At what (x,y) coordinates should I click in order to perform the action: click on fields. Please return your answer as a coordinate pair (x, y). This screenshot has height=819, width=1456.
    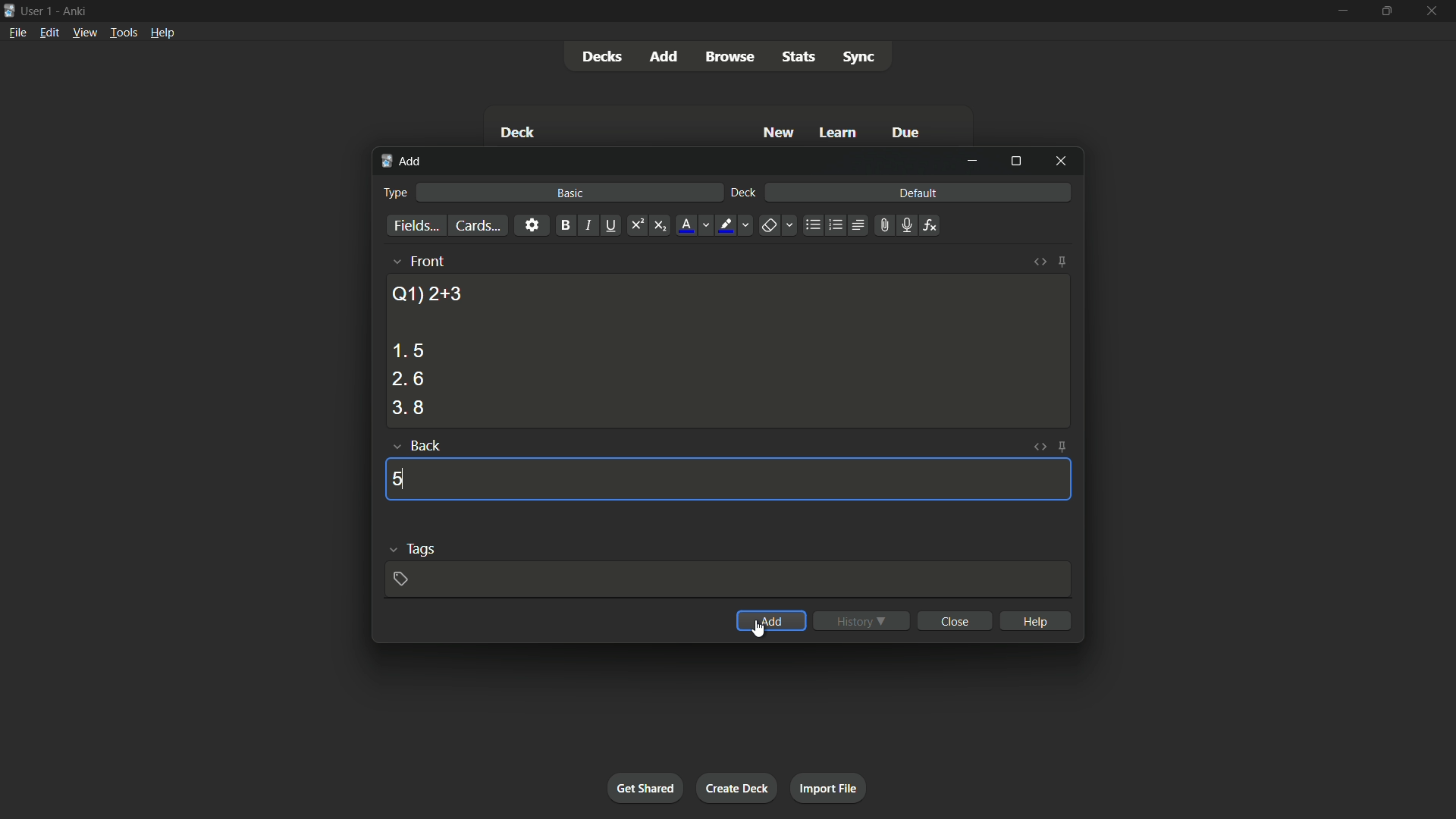
    Looking at the image, I should click on (416, 227).